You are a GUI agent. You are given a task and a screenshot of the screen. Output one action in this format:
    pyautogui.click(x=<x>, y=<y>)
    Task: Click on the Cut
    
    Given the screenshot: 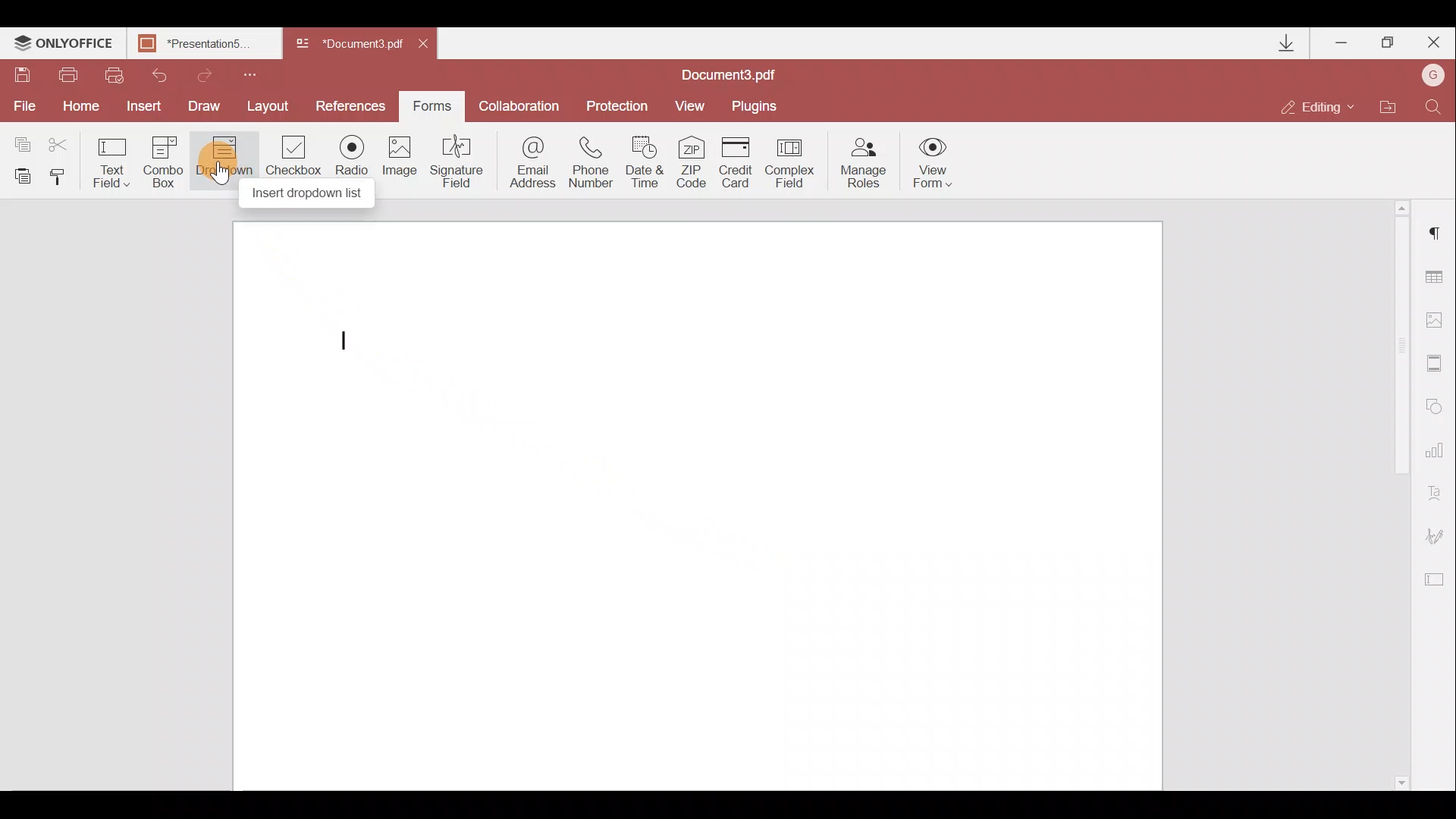 What is the action you would take?
    pyautogui.click(x=60, y=140)
    